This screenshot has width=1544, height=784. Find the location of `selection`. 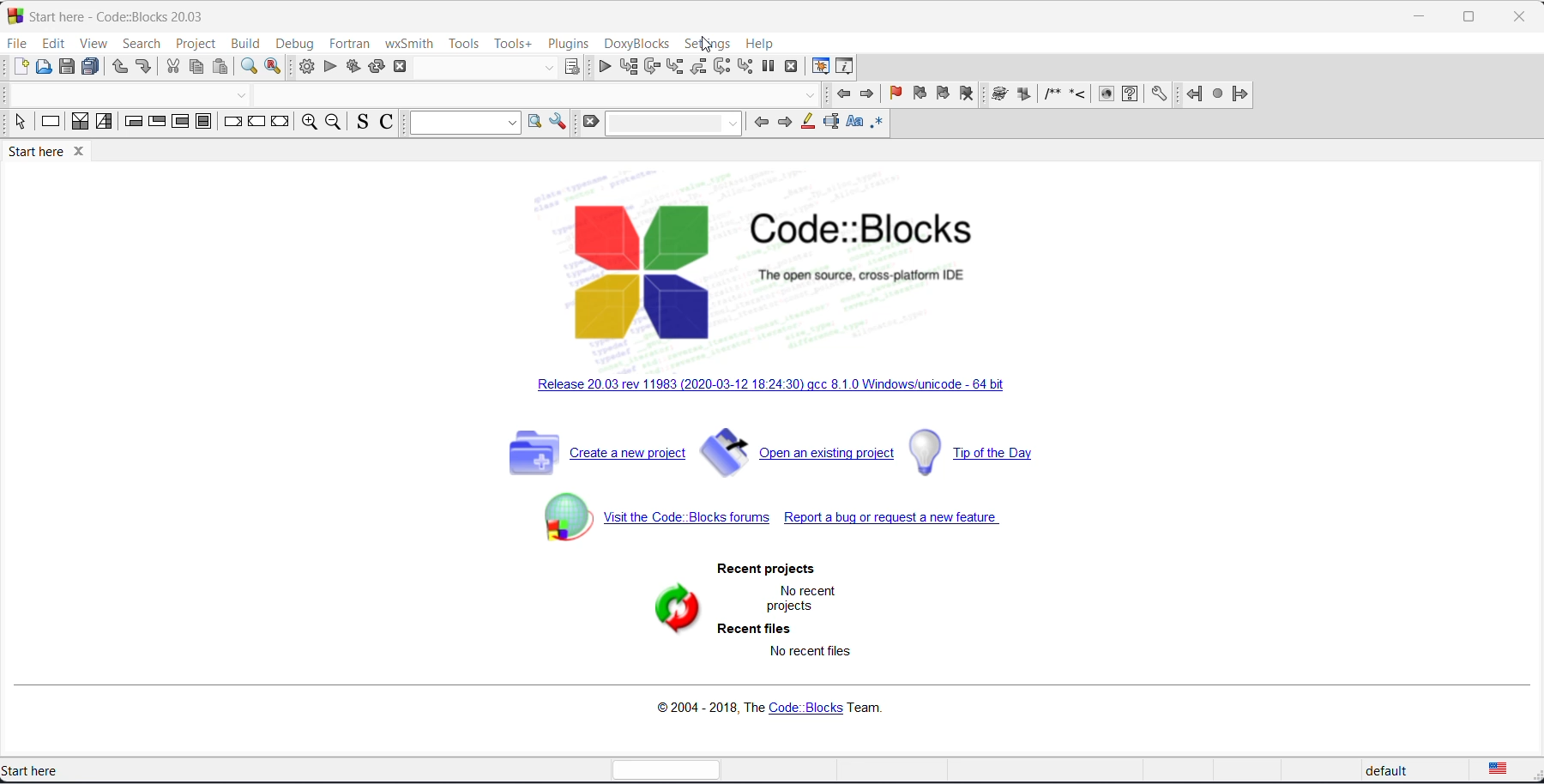

selection is located at coordinates (21, 122).